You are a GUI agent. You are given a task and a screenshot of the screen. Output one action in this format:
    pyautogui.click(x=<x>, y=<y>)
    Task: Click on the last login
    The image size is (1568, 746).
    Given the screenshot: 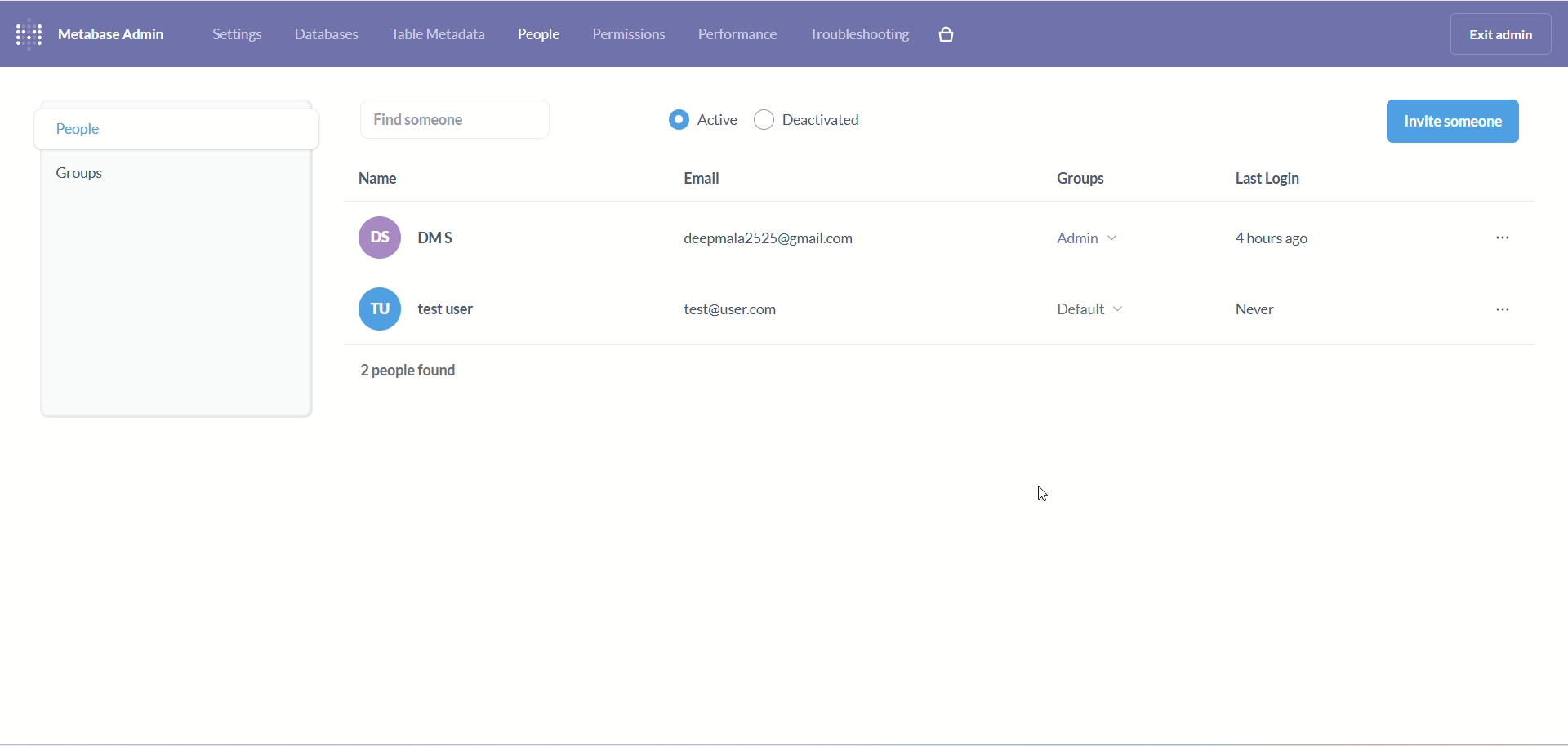 What is the action you would take?
    pyautogui.click(x=1275, y=174)
    